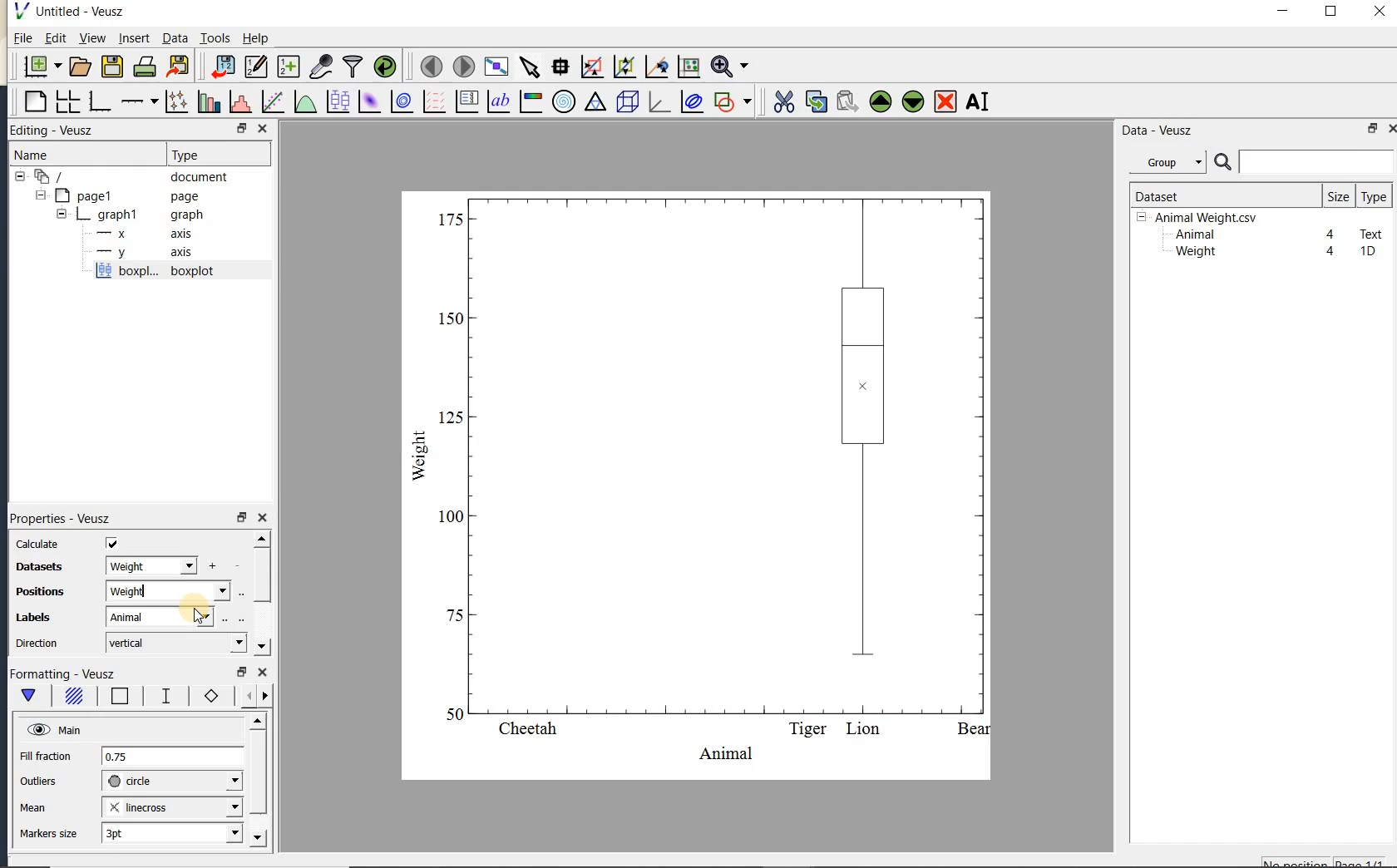 The height and width of the screenshot is (868, 1397). Describe the element at coordinates (531, 101) in the screenshot. I see `image color bar` at that location.